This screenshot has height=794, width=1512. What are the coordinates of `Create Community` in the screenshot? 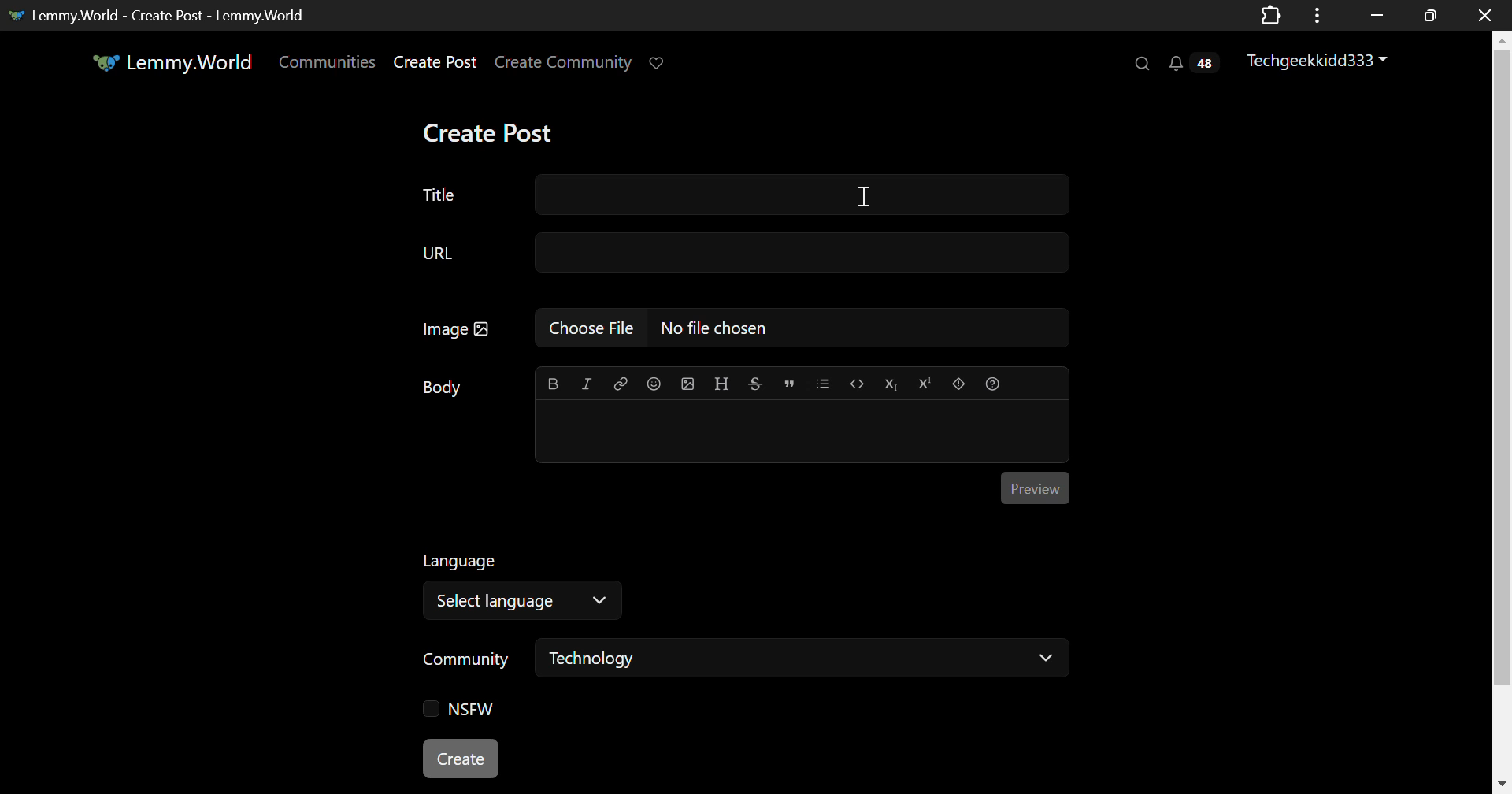 It's located at (566, 63).